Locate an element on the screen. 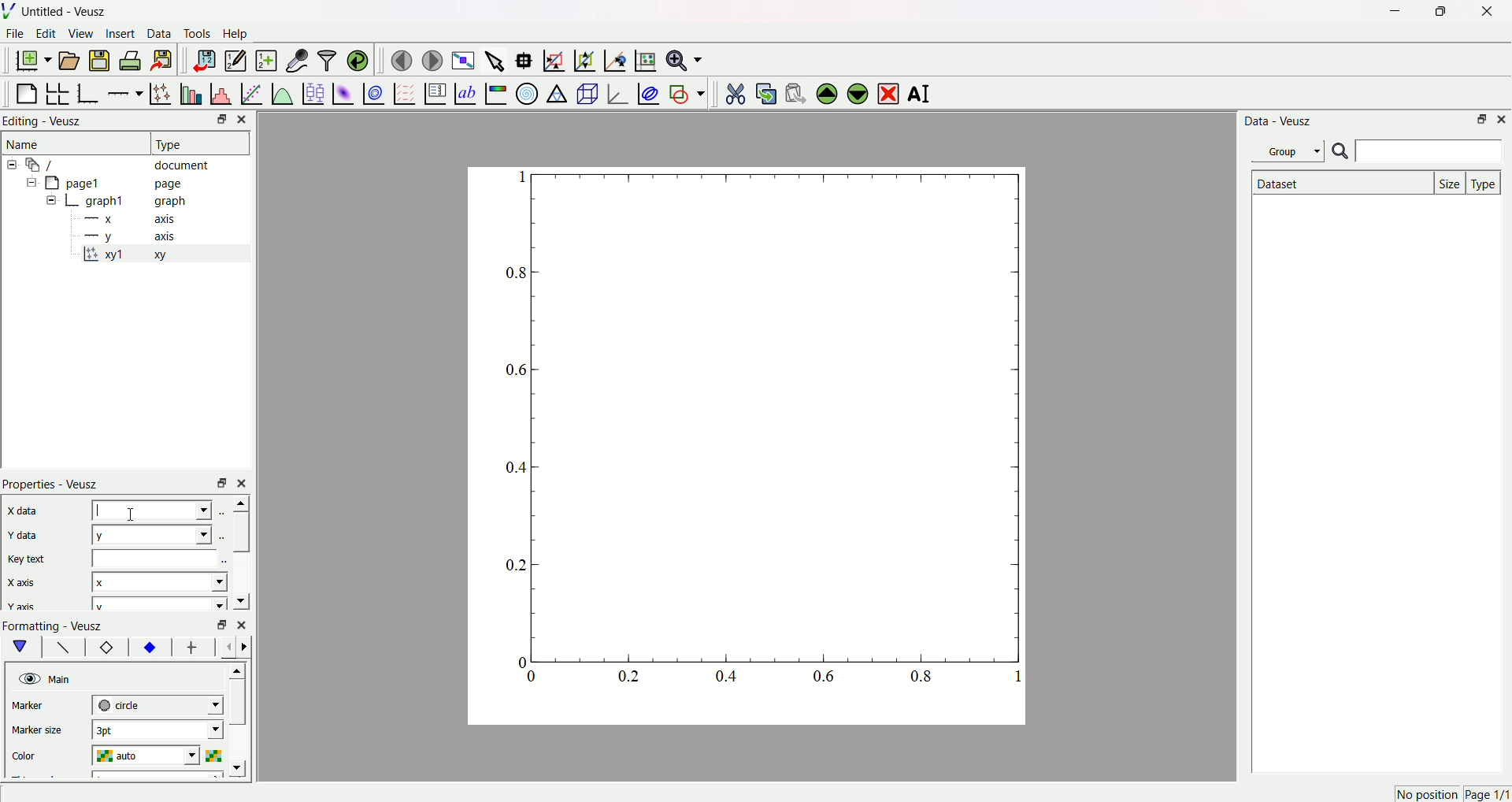 This screenshot has height=802, width=1512. plot key is located at coordinates (434, 91).